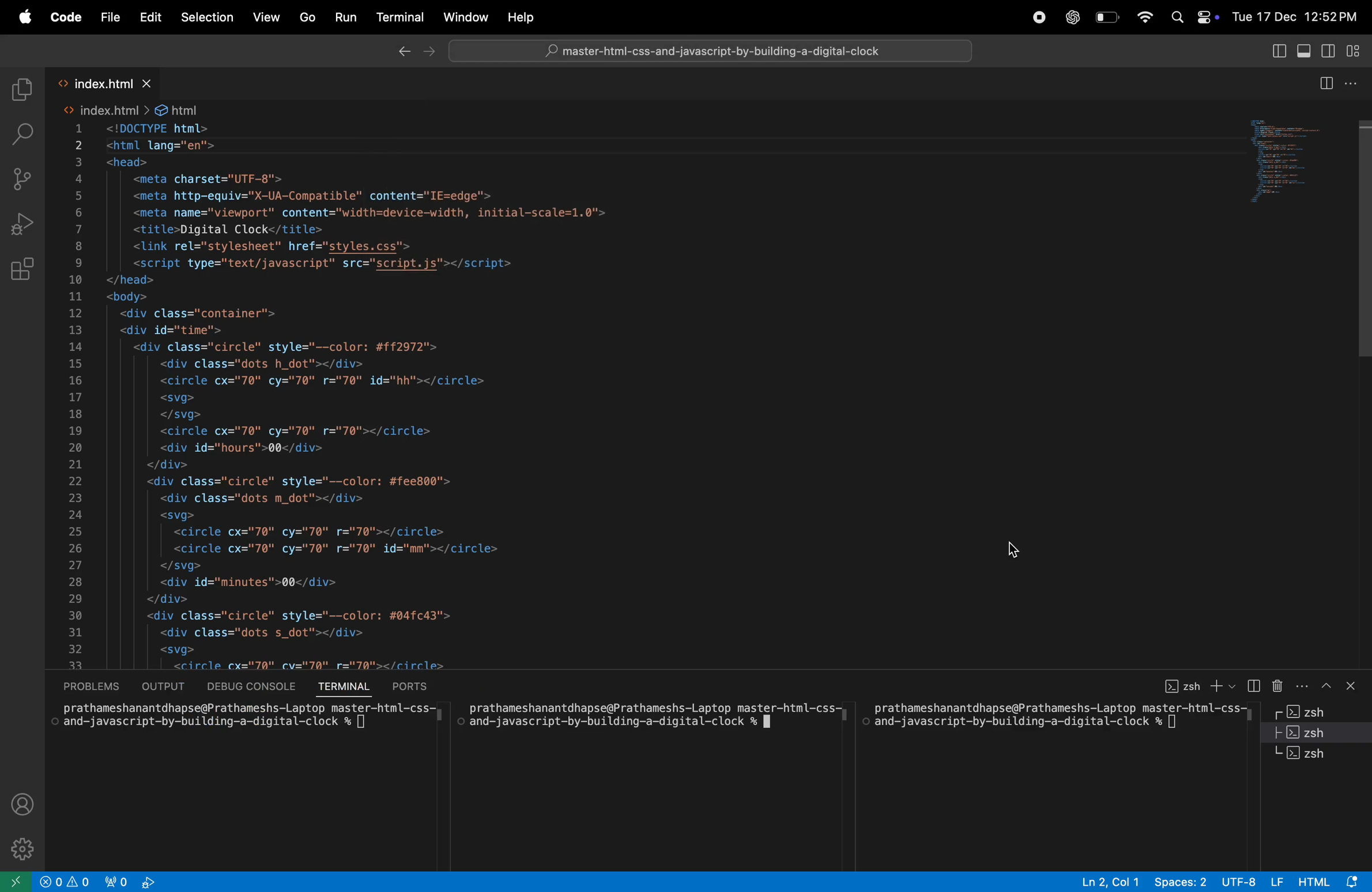 This screenshot has height=892, width=1372. I want to click on battery, so click(1106, 16).